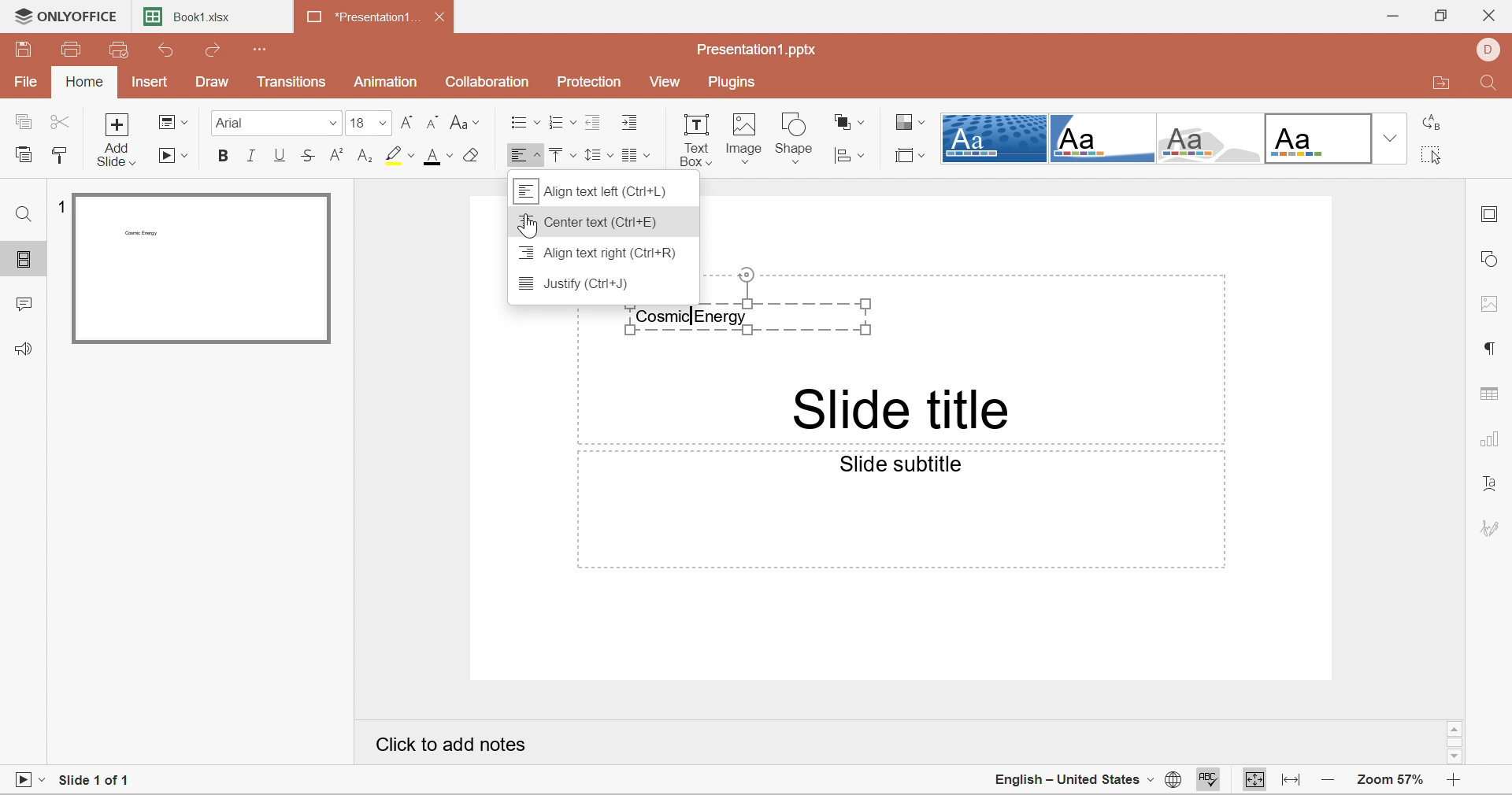 The height and width of the screenshot is (795, 1512). I want to click on Highlight color, so click(400, 155).